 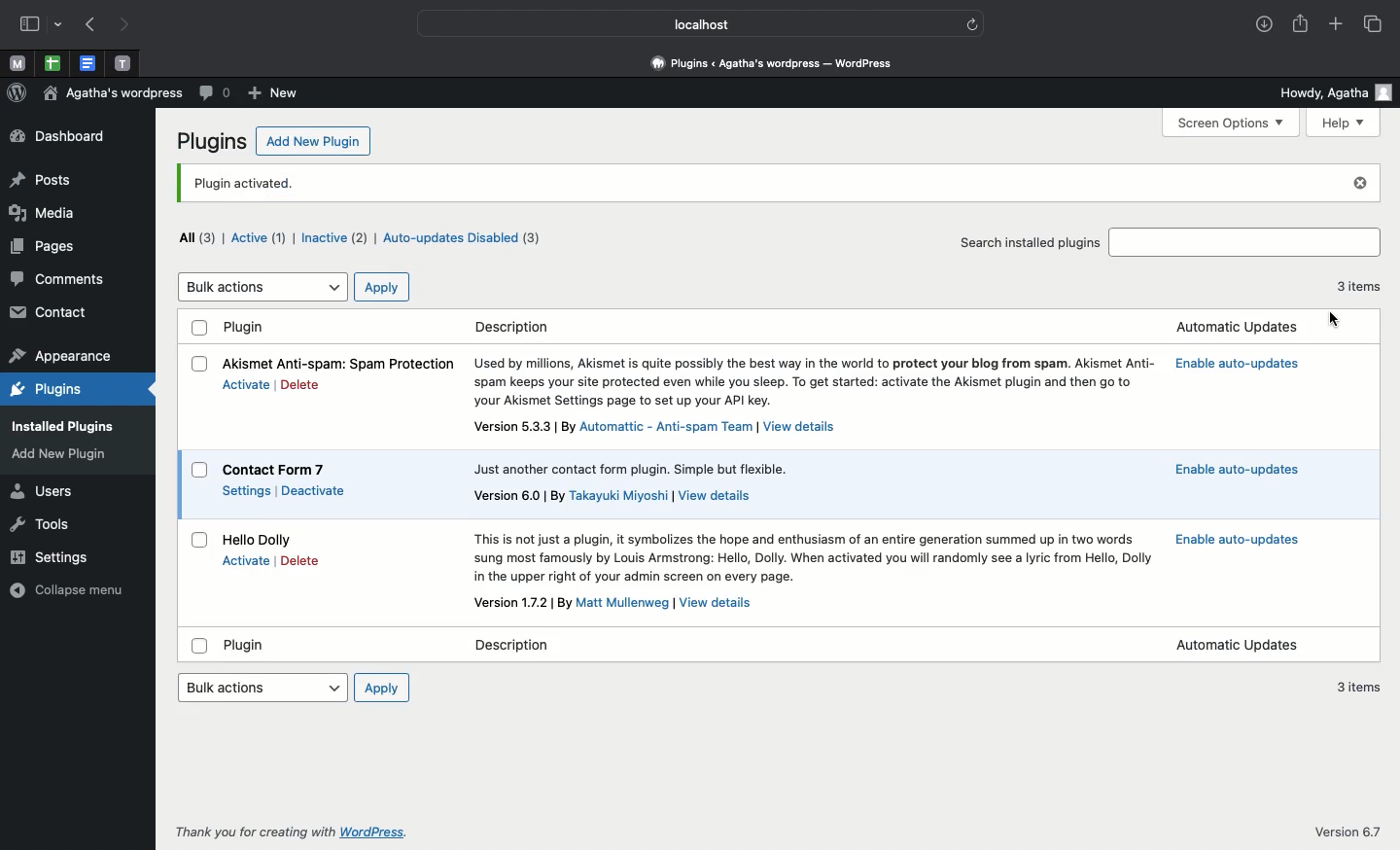 I want to click on Apply, so click(x=381, y=287).